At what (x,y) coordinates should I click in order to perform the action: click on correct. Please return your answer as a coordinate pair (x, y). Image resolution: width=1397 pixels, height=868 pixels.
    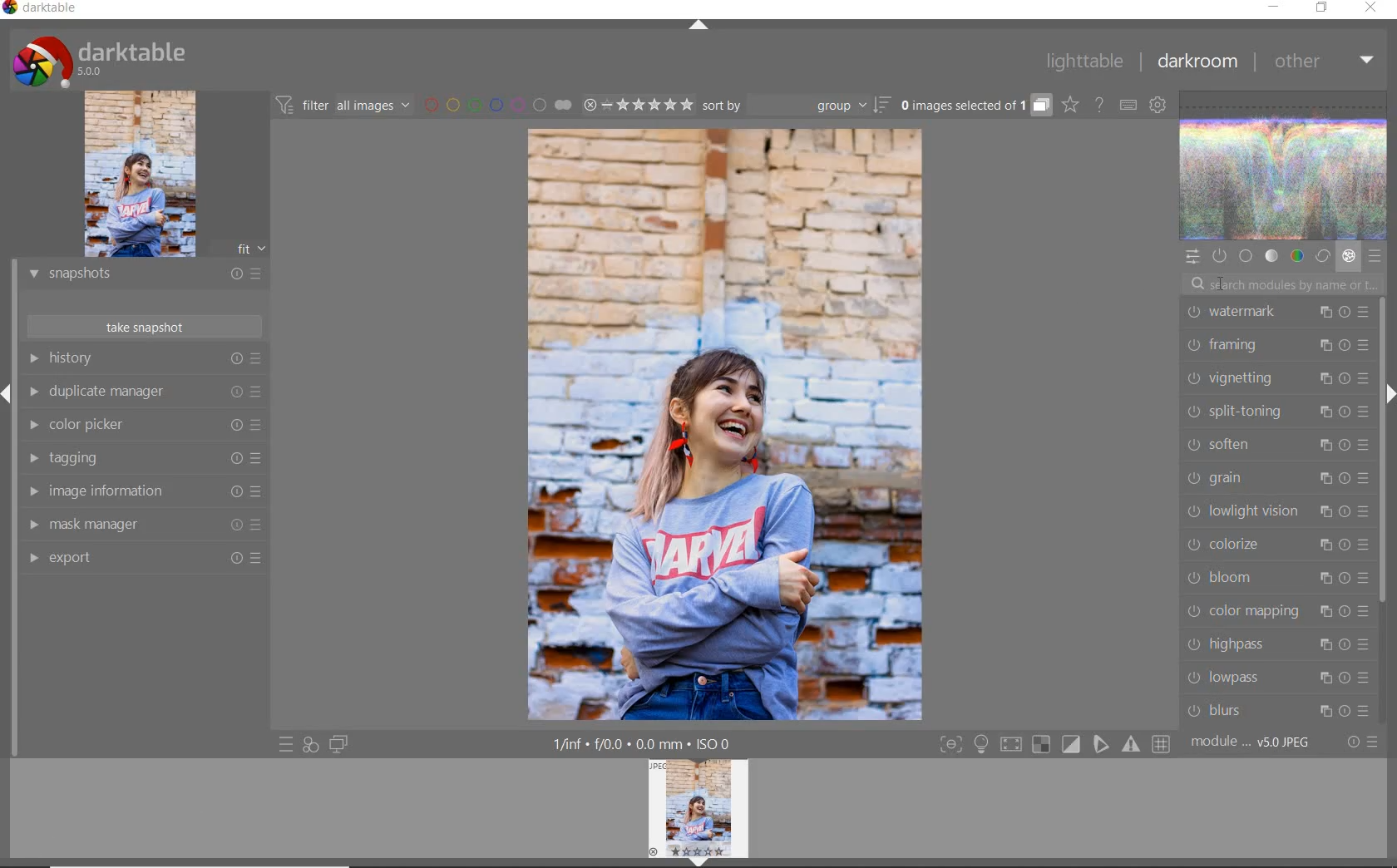
    Looking at the image, I should click on (1322, 257).